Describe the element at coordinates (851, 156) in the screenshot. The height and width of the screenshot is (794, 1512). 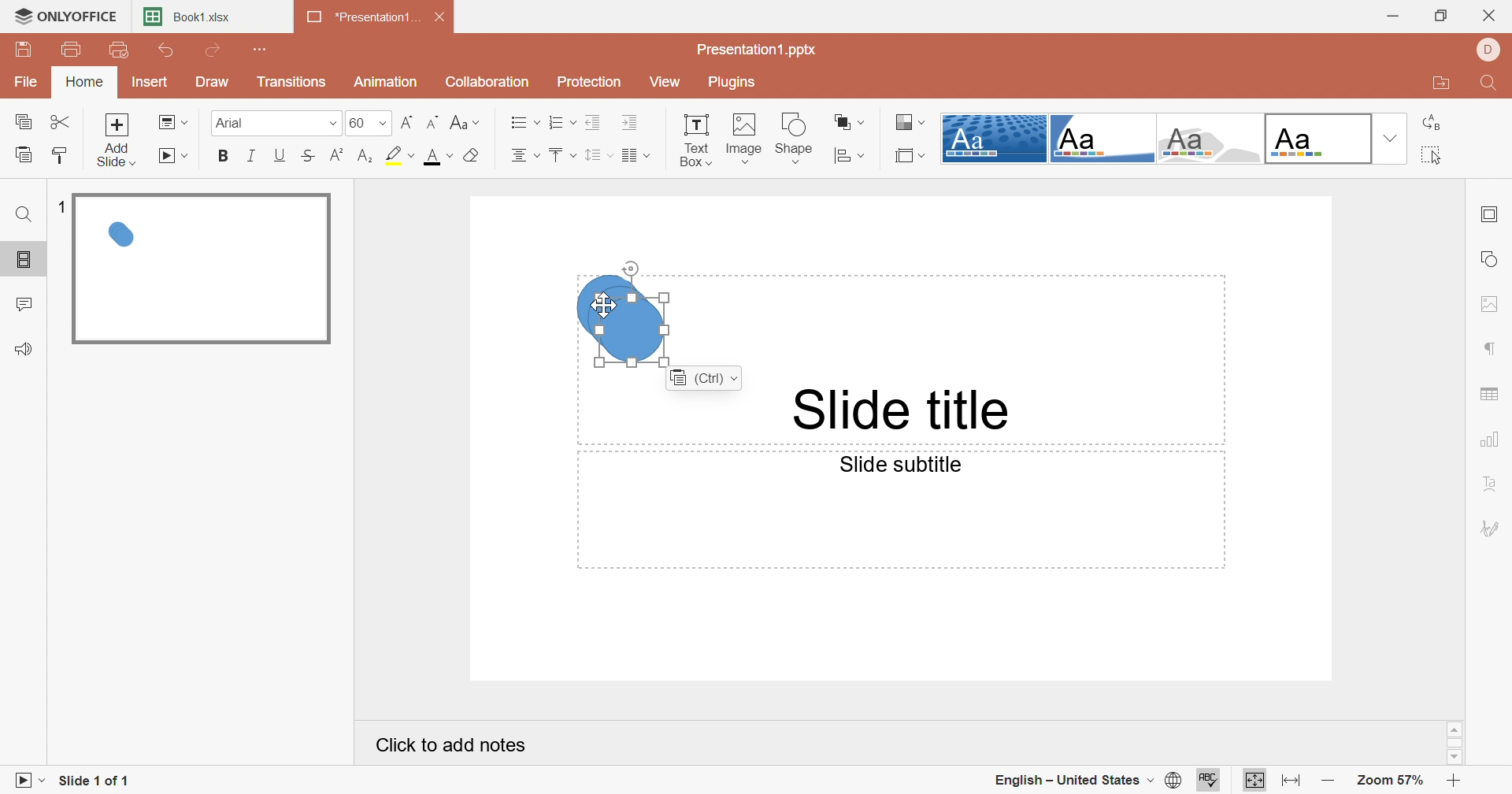
I see `Align shape` at that location.